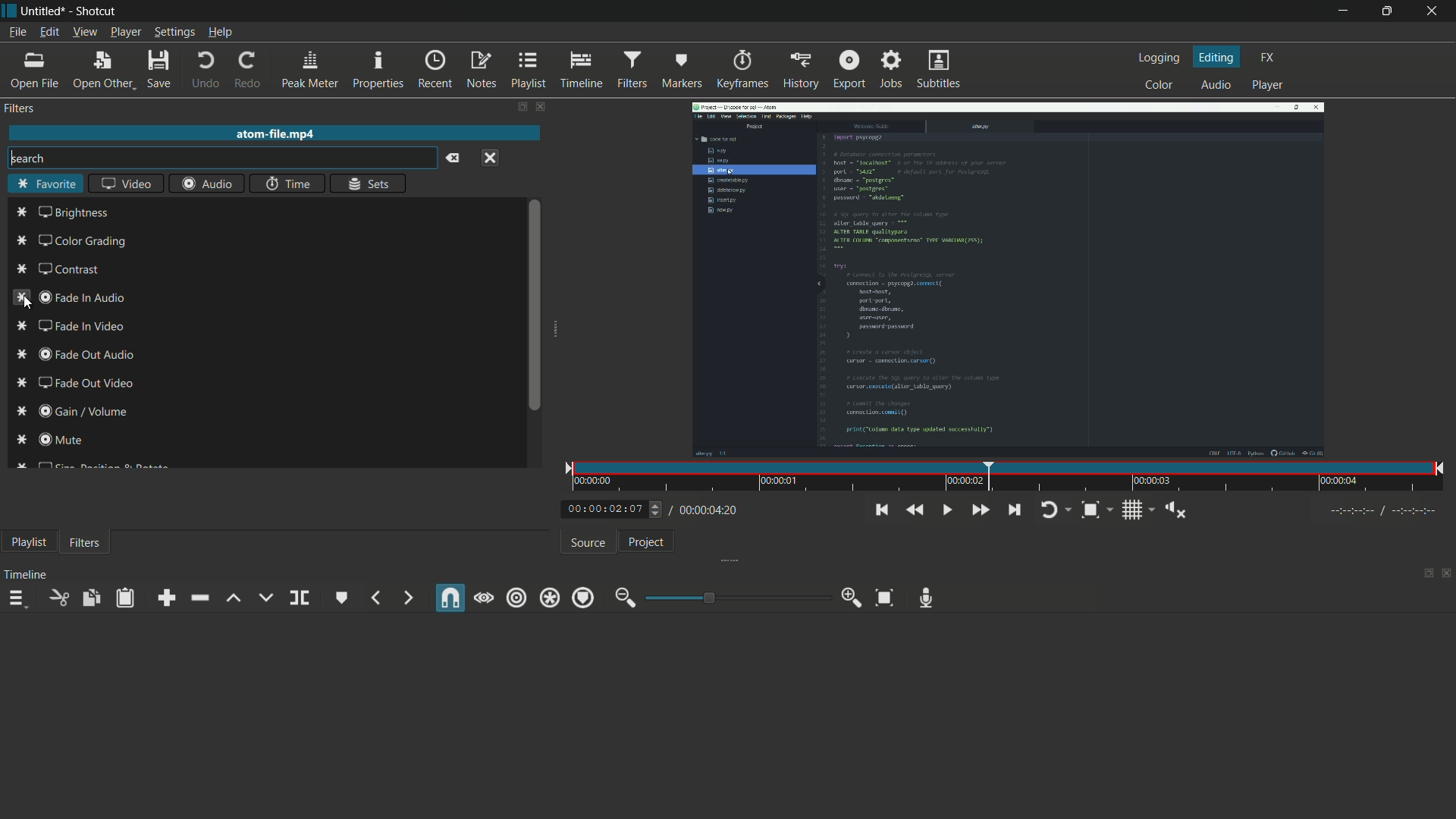  What do you see at coordinates (1011, 280) in the screenshot?
I see `imported file` at bounding box center [1011, 280].